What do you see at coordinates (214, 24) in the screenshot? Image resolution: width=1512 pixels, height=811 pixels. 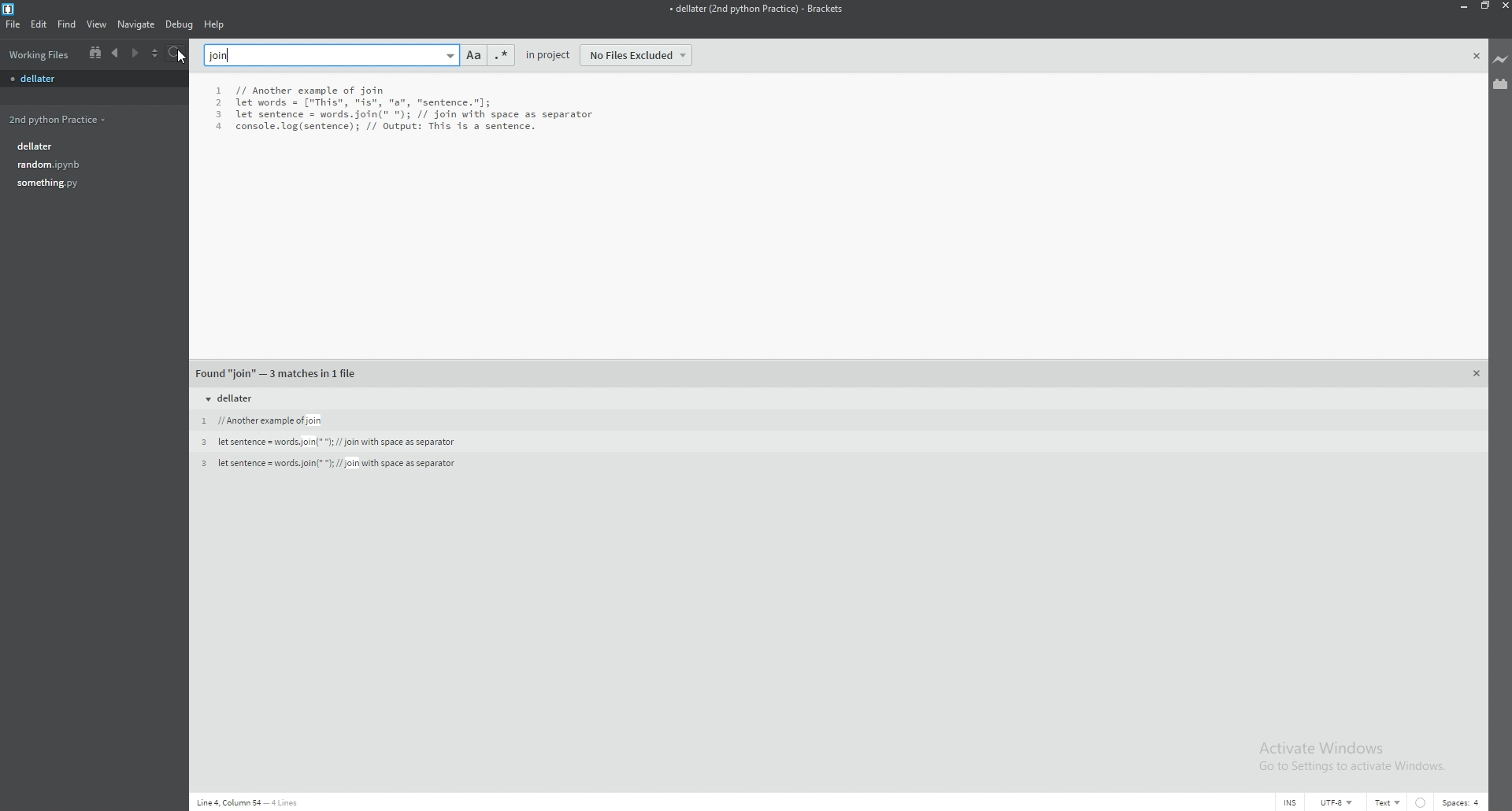 I see `help` at bounding box center [214, 24].